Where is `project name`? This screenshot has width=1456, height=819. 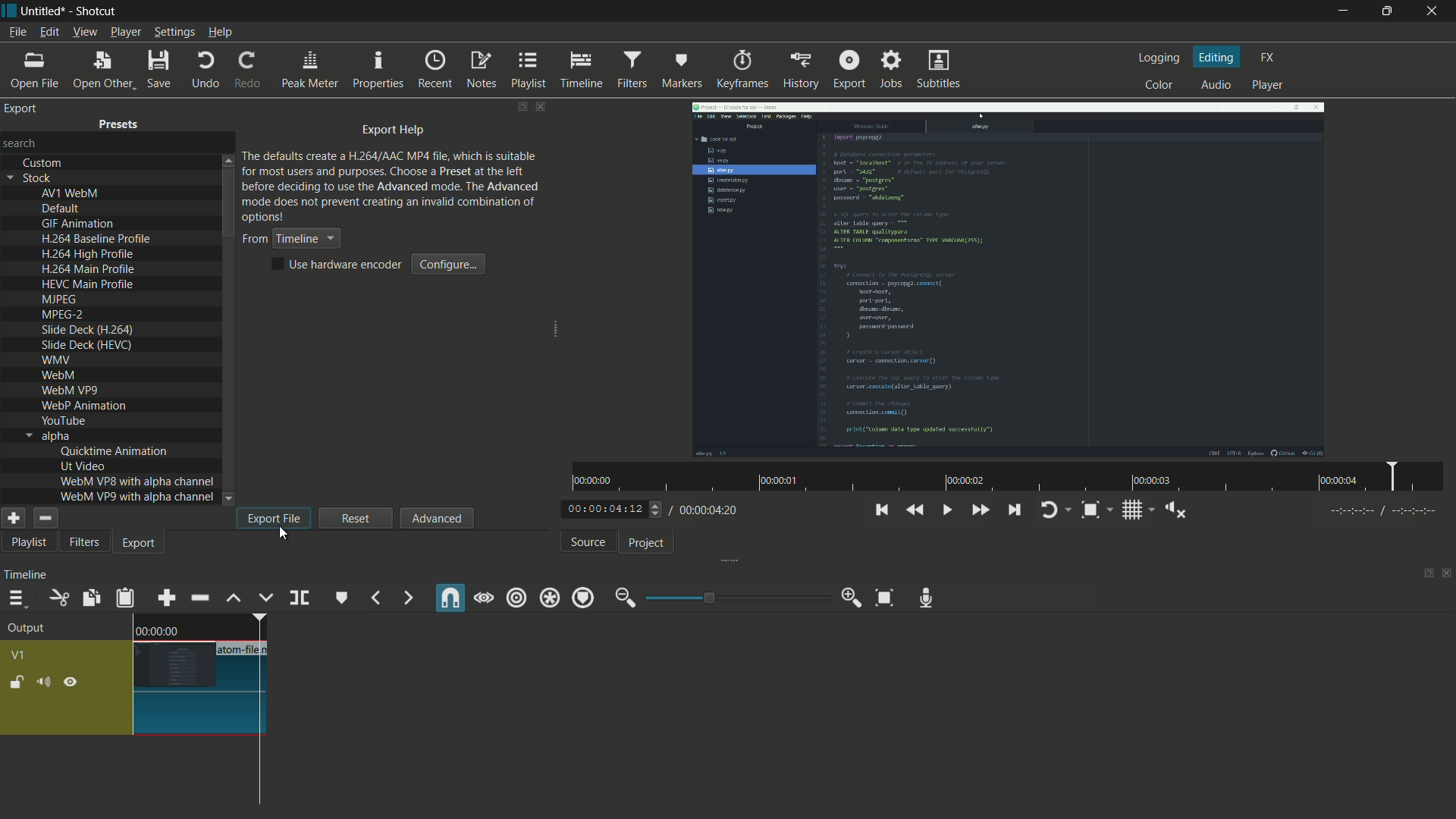
project name is located at coordinates (43, 11).